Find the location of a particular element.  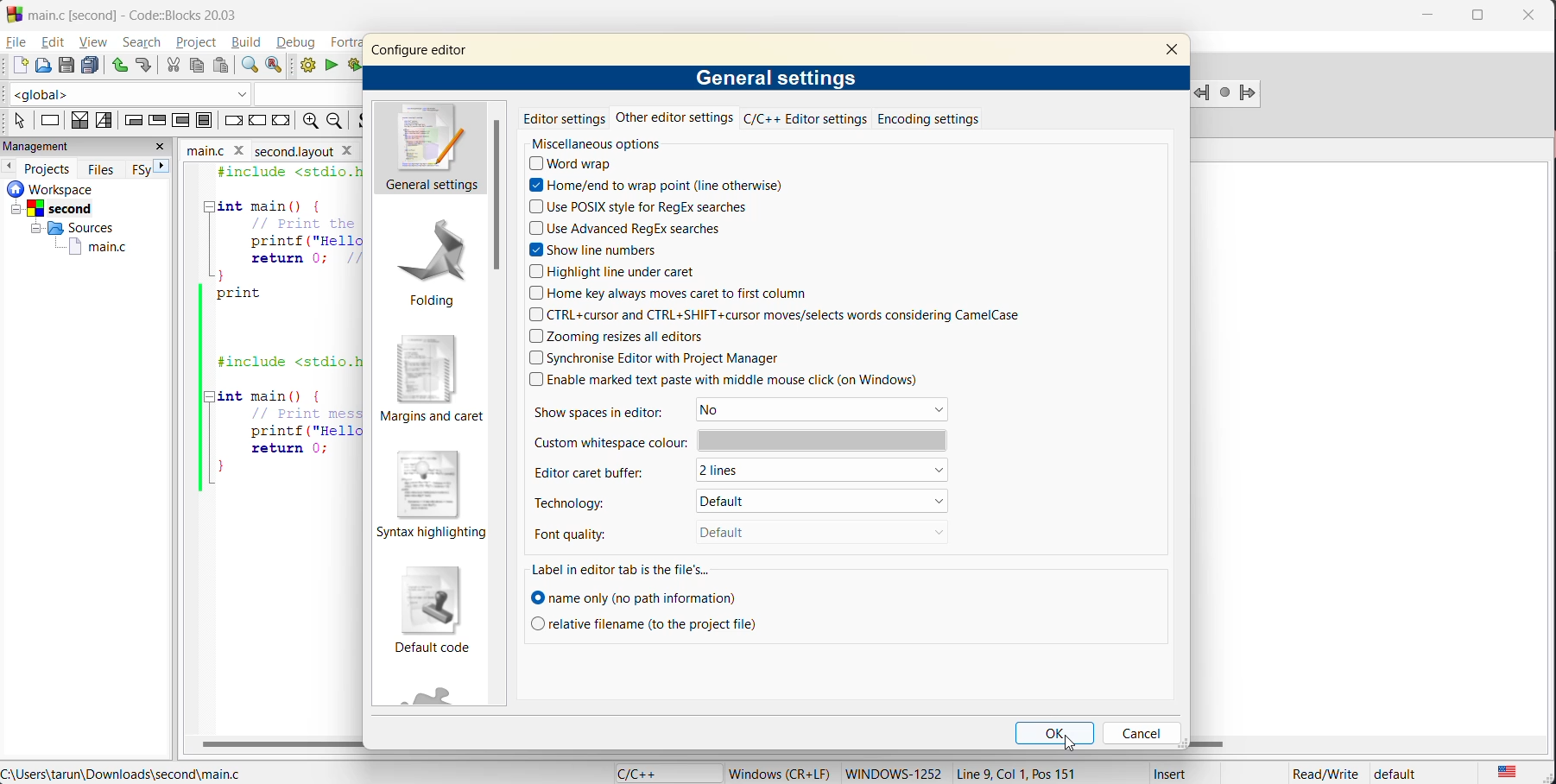

build is located at coordinates (312, 68).